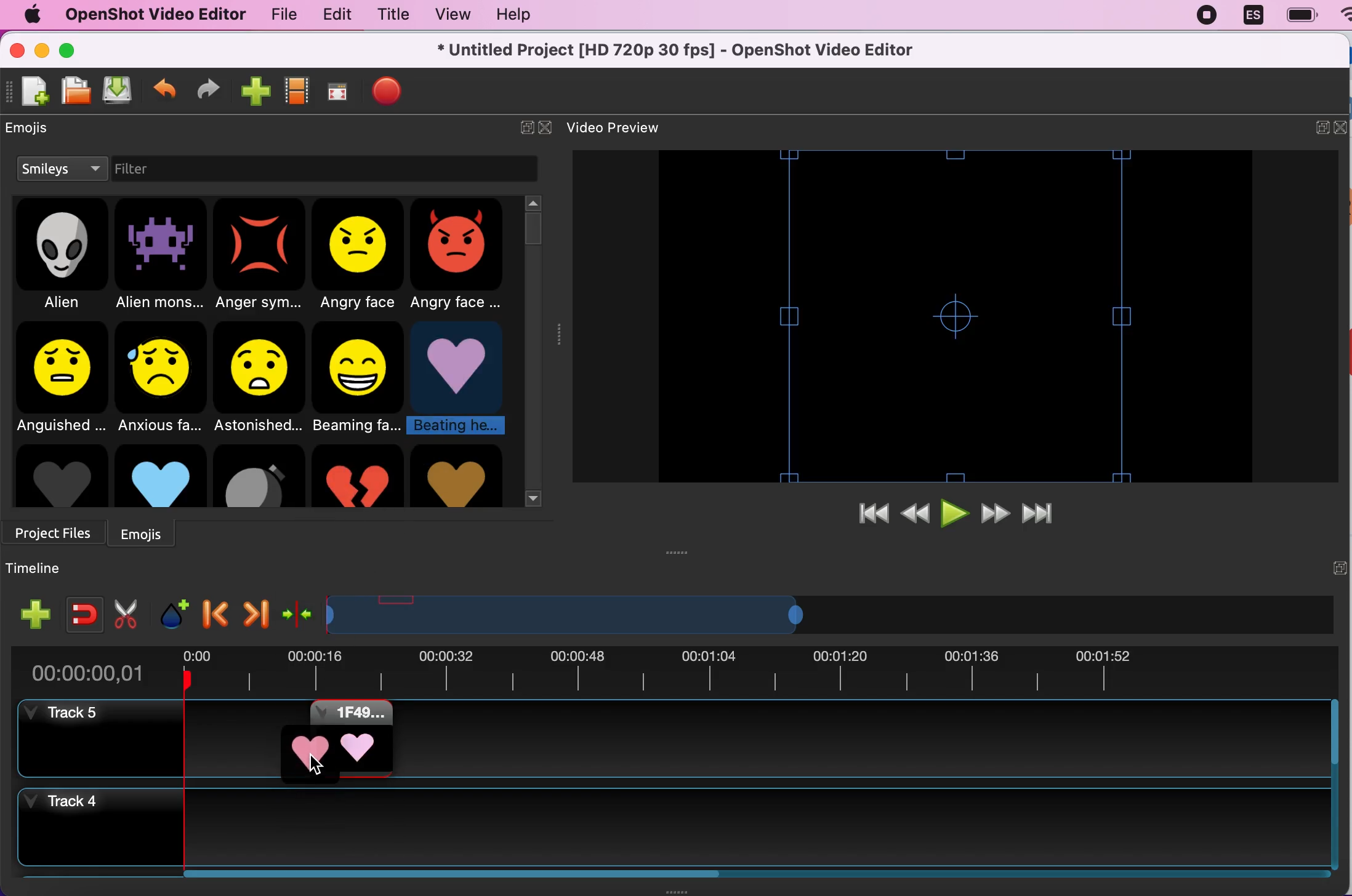  I want to click on undo, so click(165, 86).